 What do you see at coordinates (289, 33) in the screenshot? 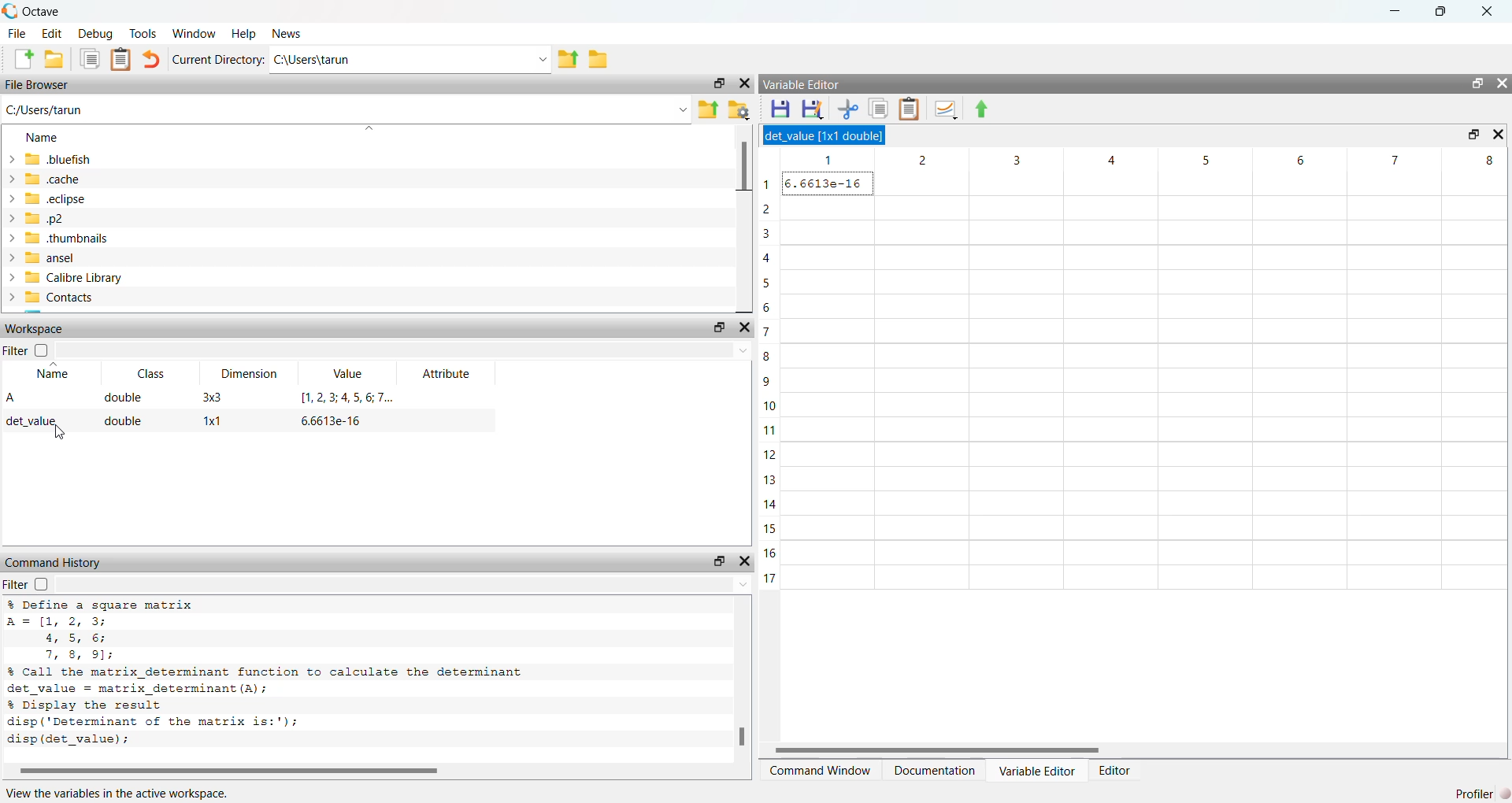
I see `news` at bounding box center [289, 33].